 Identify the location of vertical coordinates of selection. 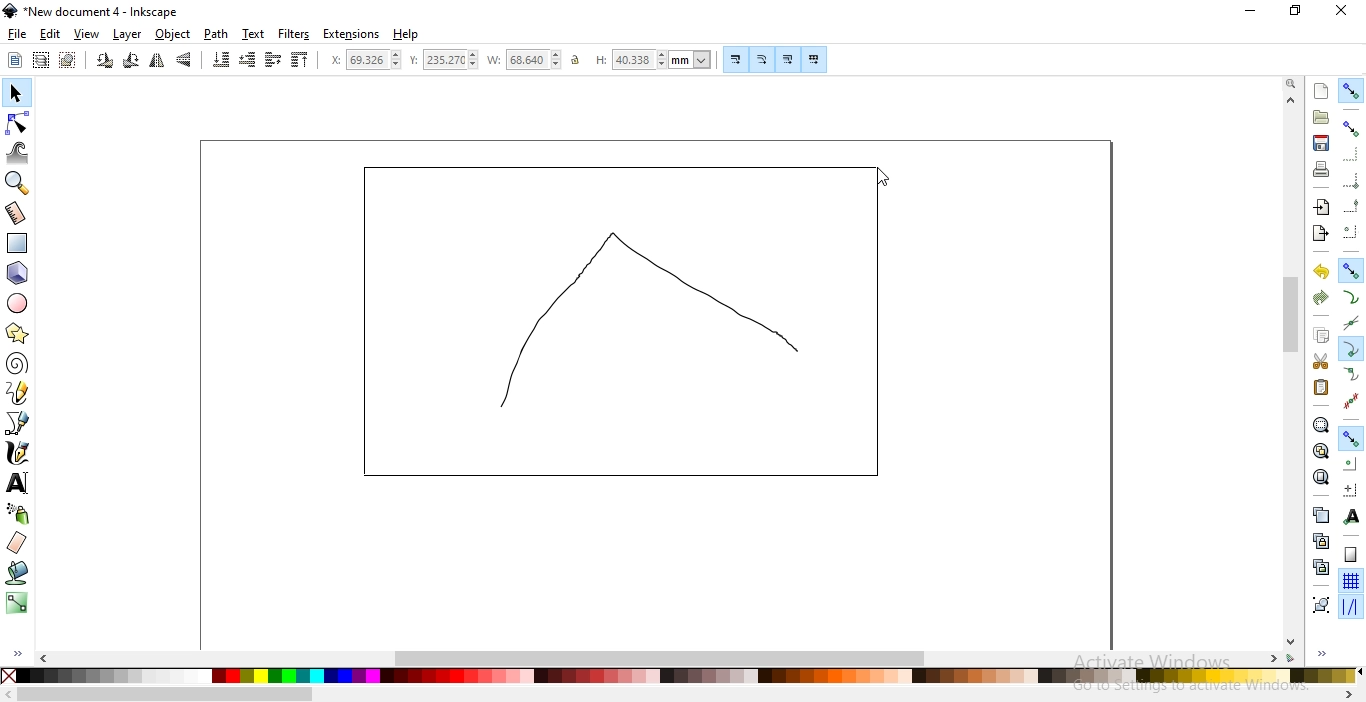
(443, 61).